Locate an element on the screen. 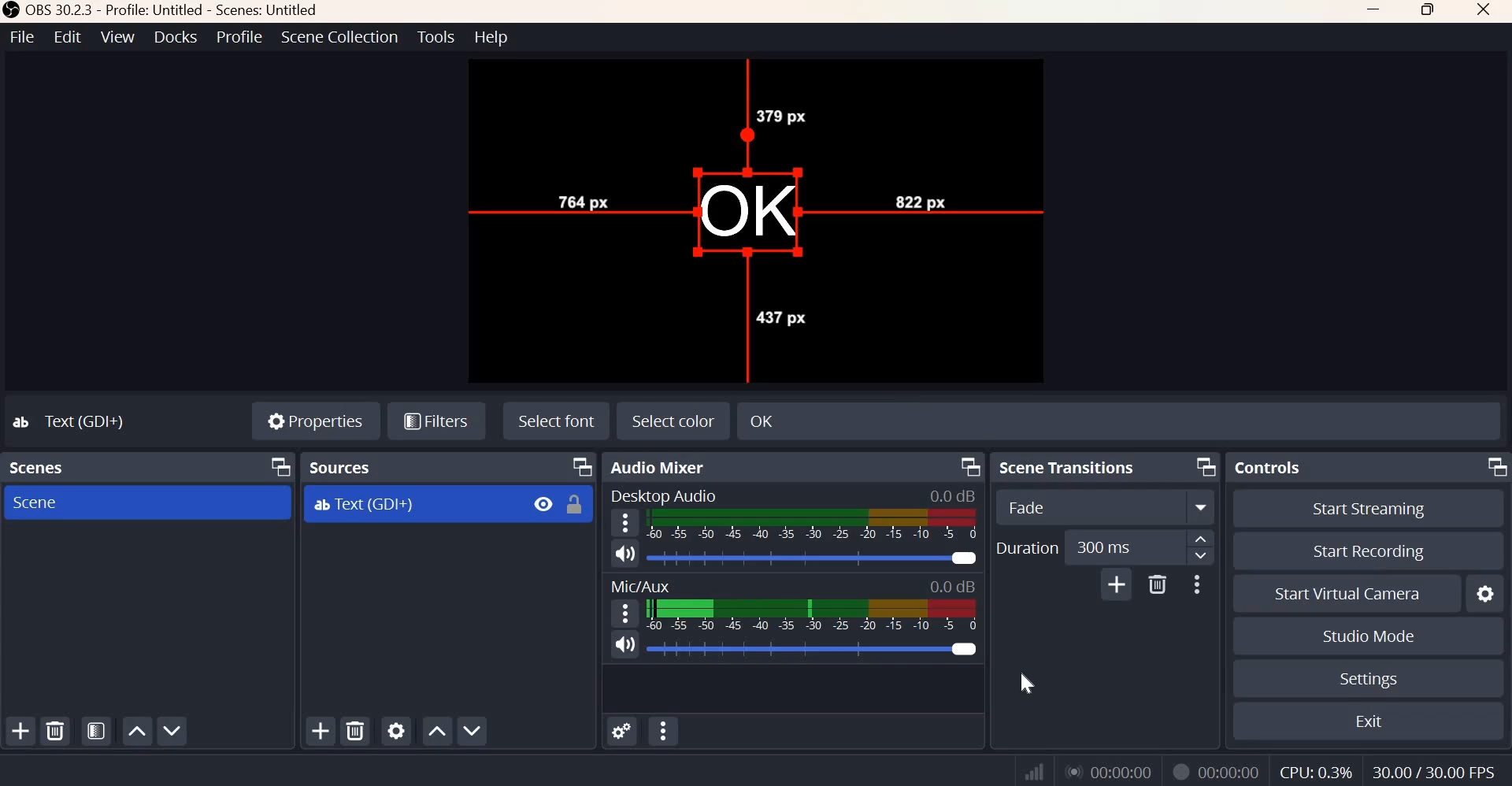 The width and height of the screenshot is (1512, 786). Start recording is located at coordinates (1369, 551).